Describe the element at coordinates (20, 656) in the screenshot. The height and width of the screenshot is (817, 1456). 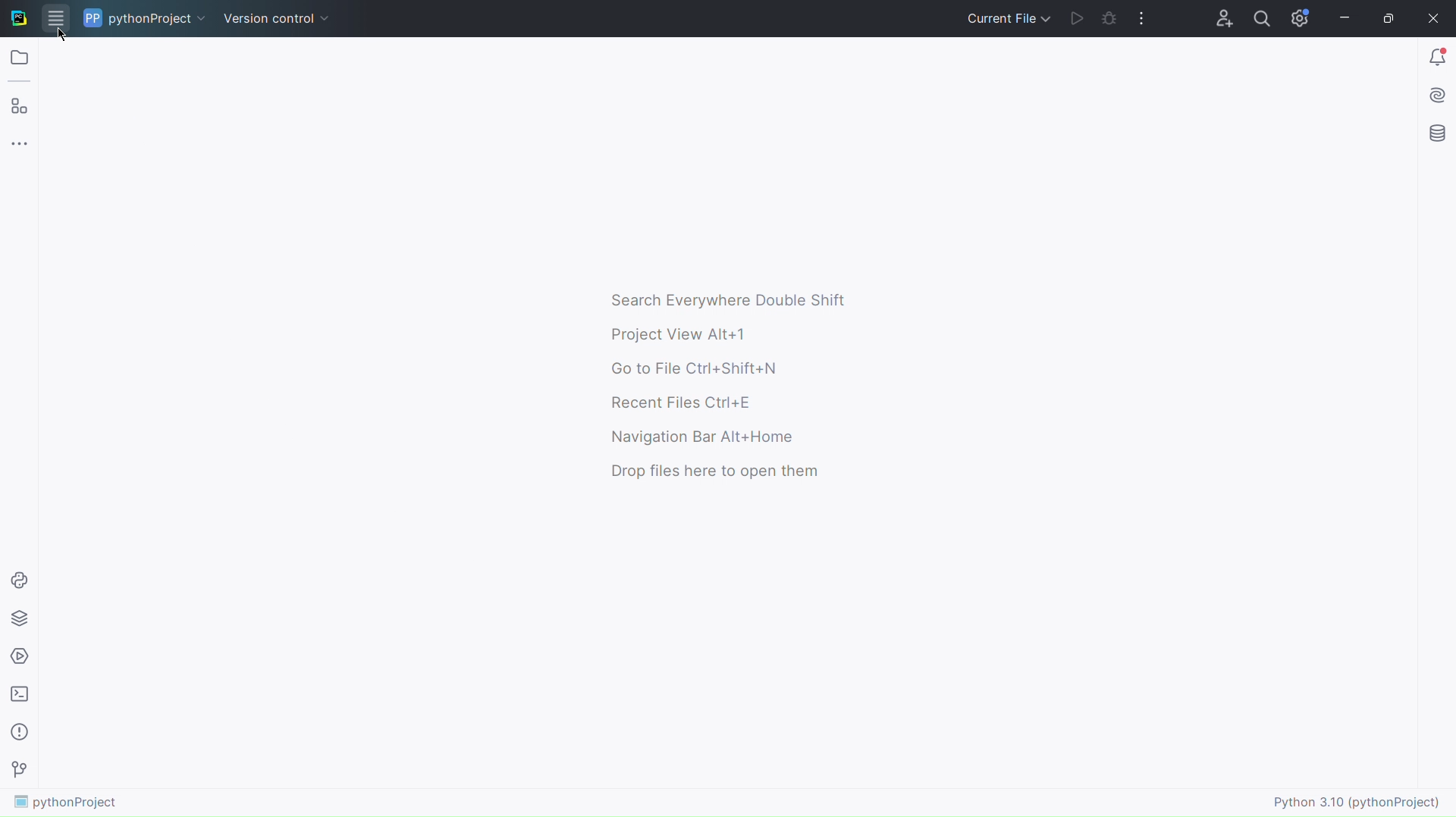
I see `Services` at that location.